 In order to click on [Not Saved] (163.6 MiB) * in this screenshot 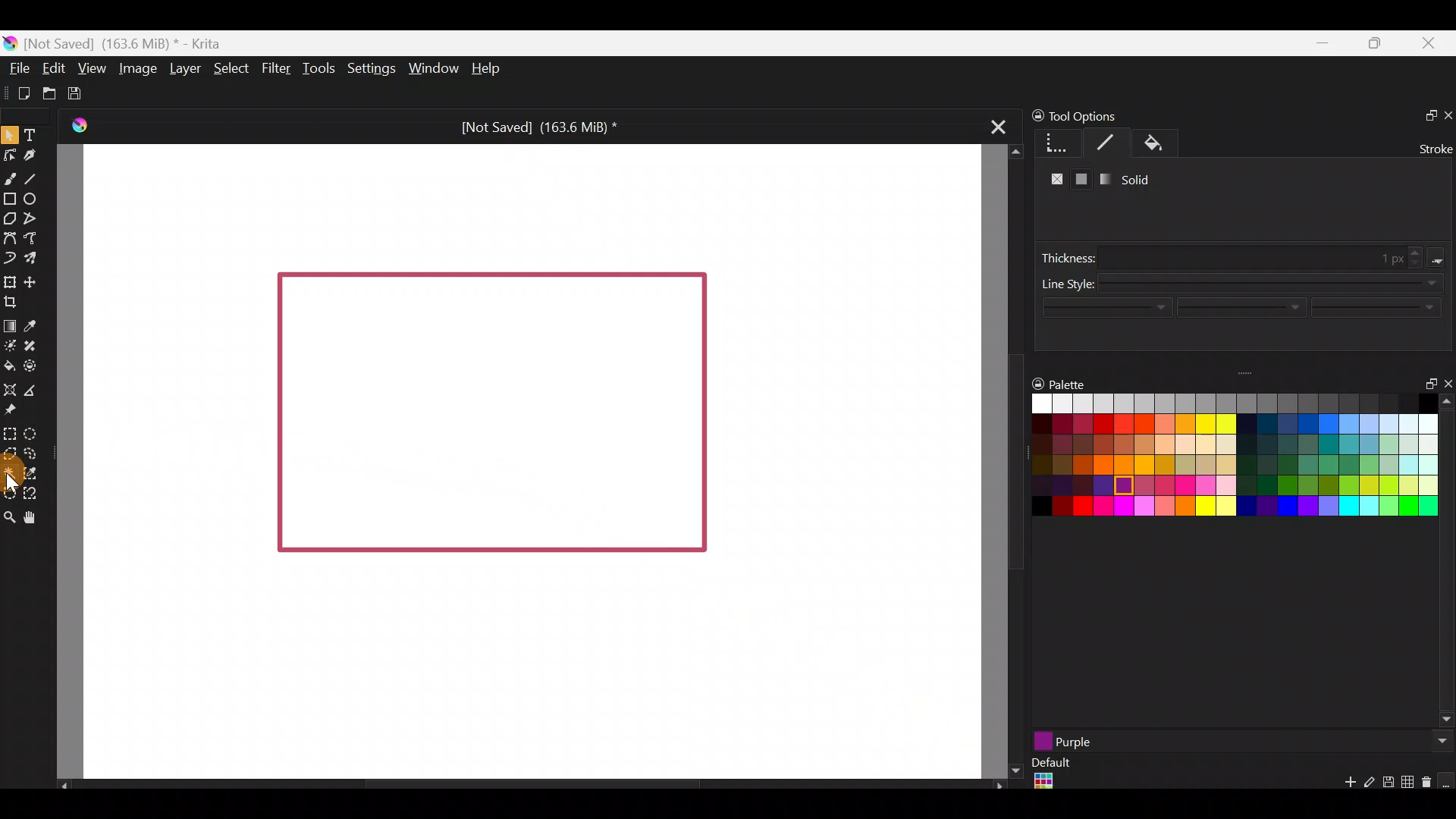, I will do `click(537, 124)`.